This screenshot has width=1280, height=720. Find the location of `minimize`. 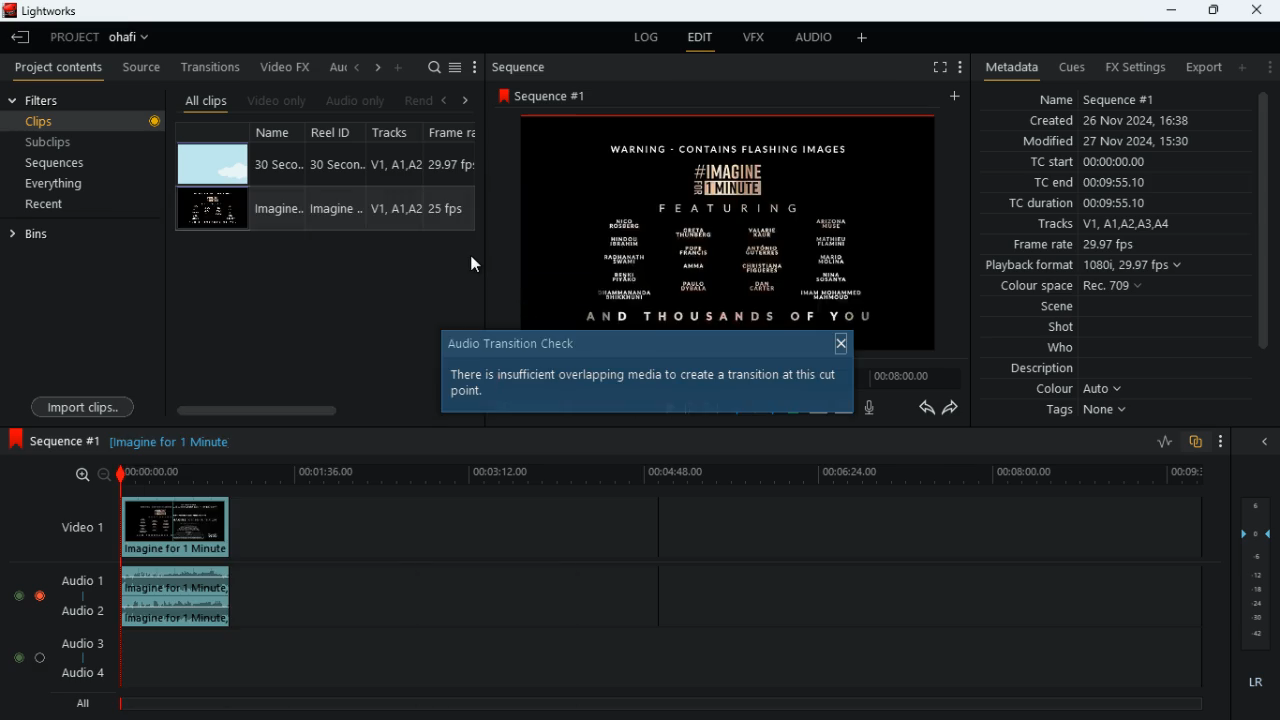

minimize is located at coordinates (1168, 10).